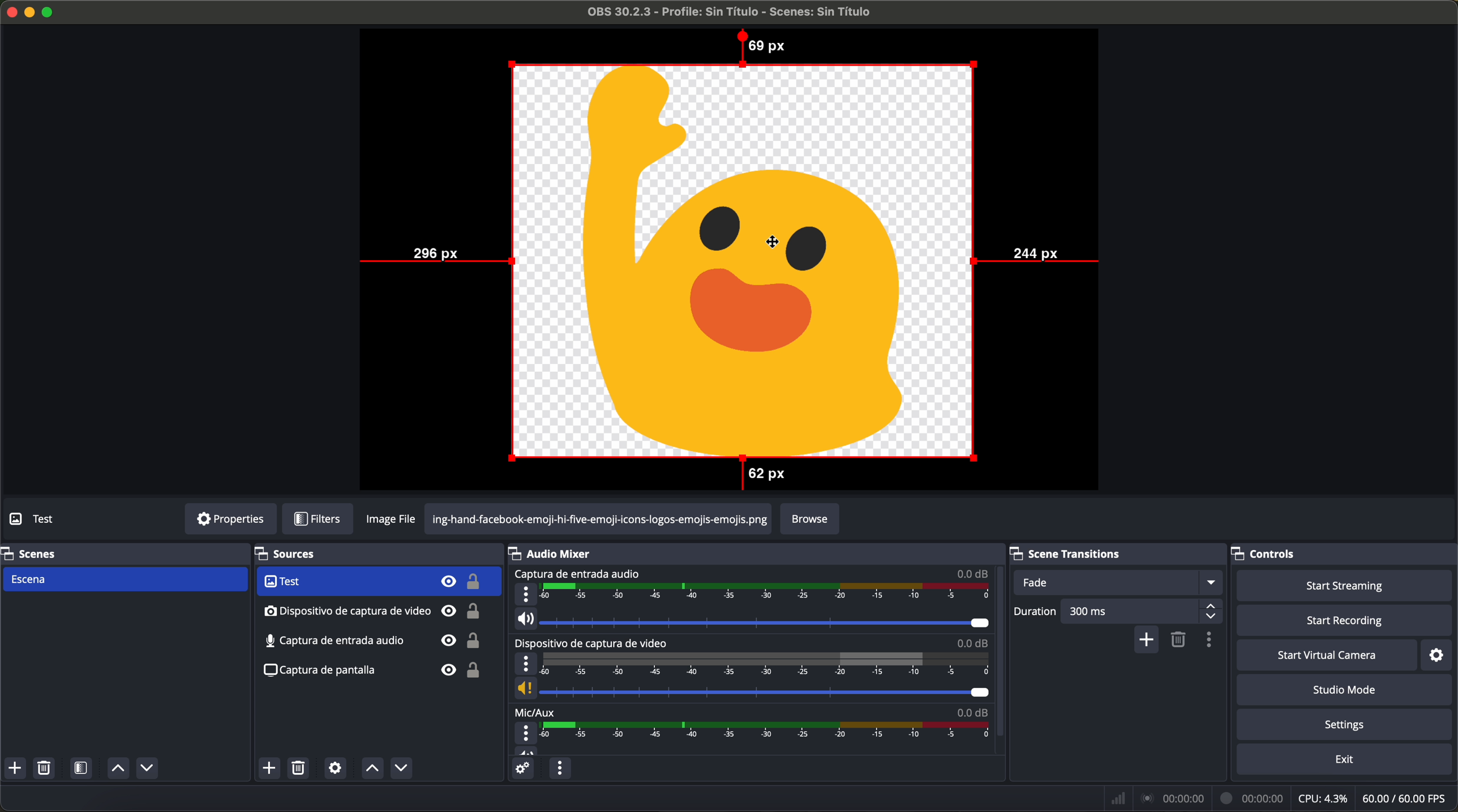 The height and width of the screenshot is (812, 1458). What do you see at coordinates (44, 768) in the screenshot?
I see `remove selected scene` at bounding box center [44, 768].